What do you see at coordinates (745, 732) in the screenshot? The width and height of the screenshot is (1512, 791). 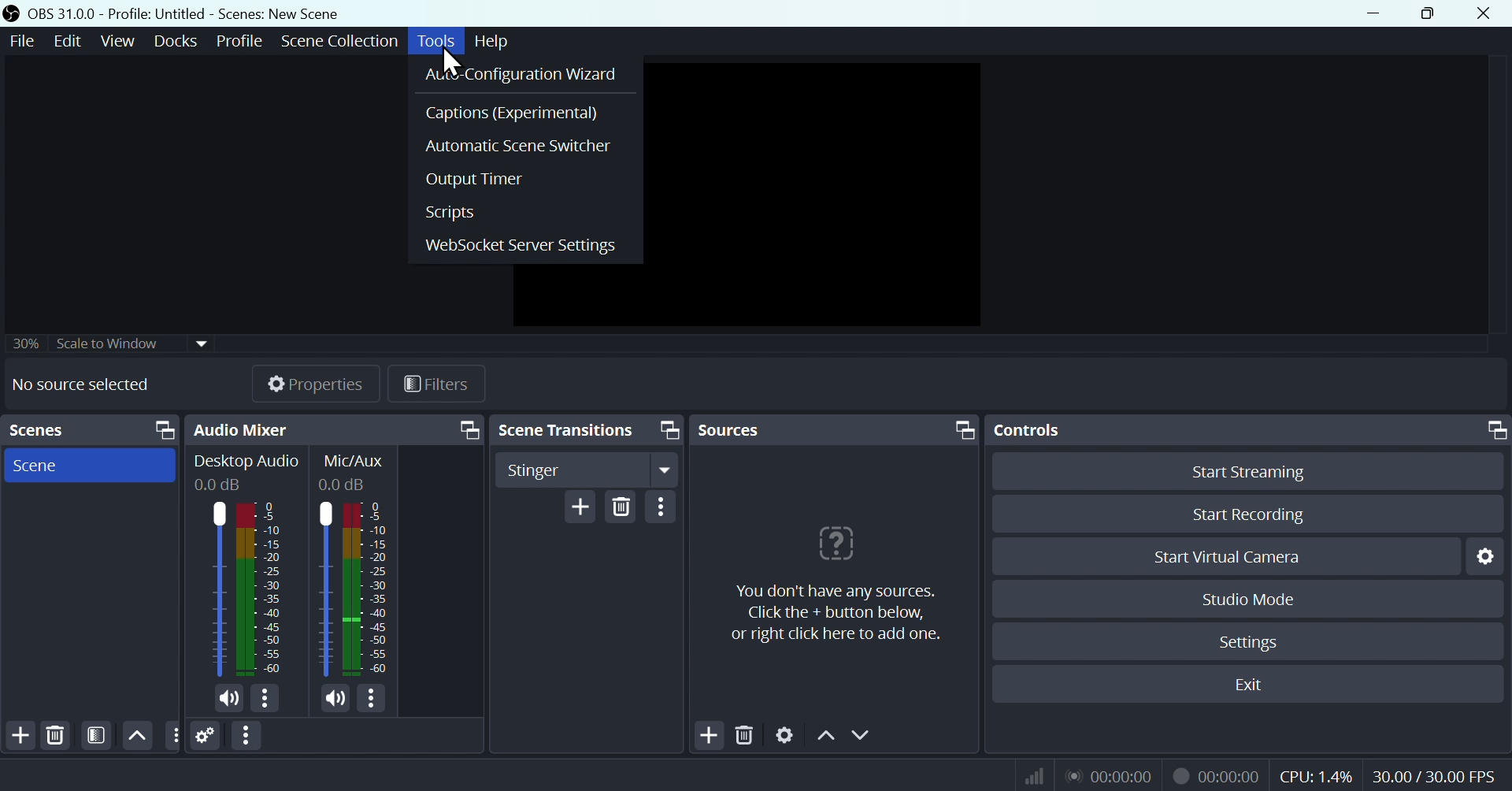 I see `Delete` at bounding box center [745, 732].